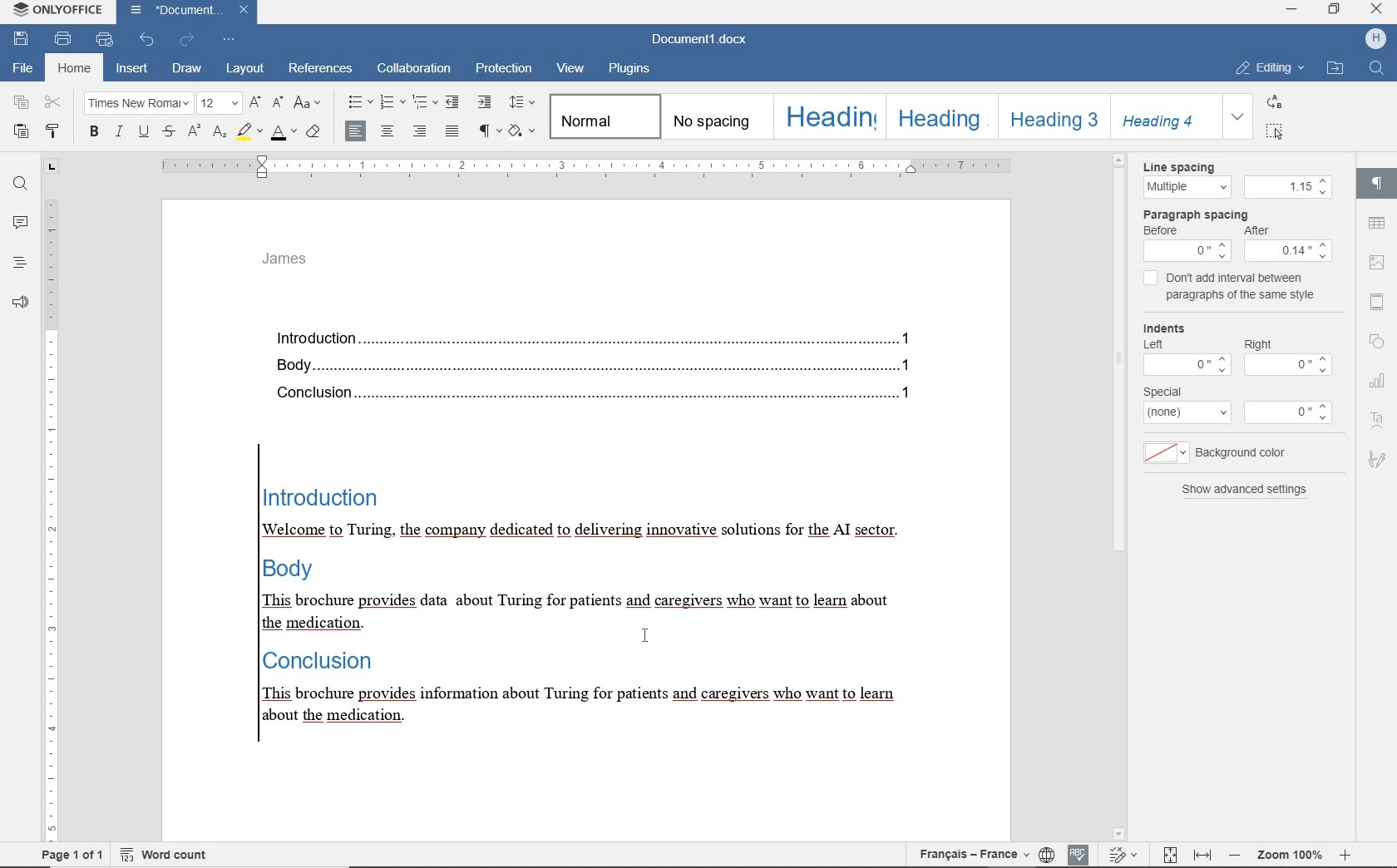  Describe the element at coordinates (1345, 856) in the screenshot. I see `zoom in` at that location.